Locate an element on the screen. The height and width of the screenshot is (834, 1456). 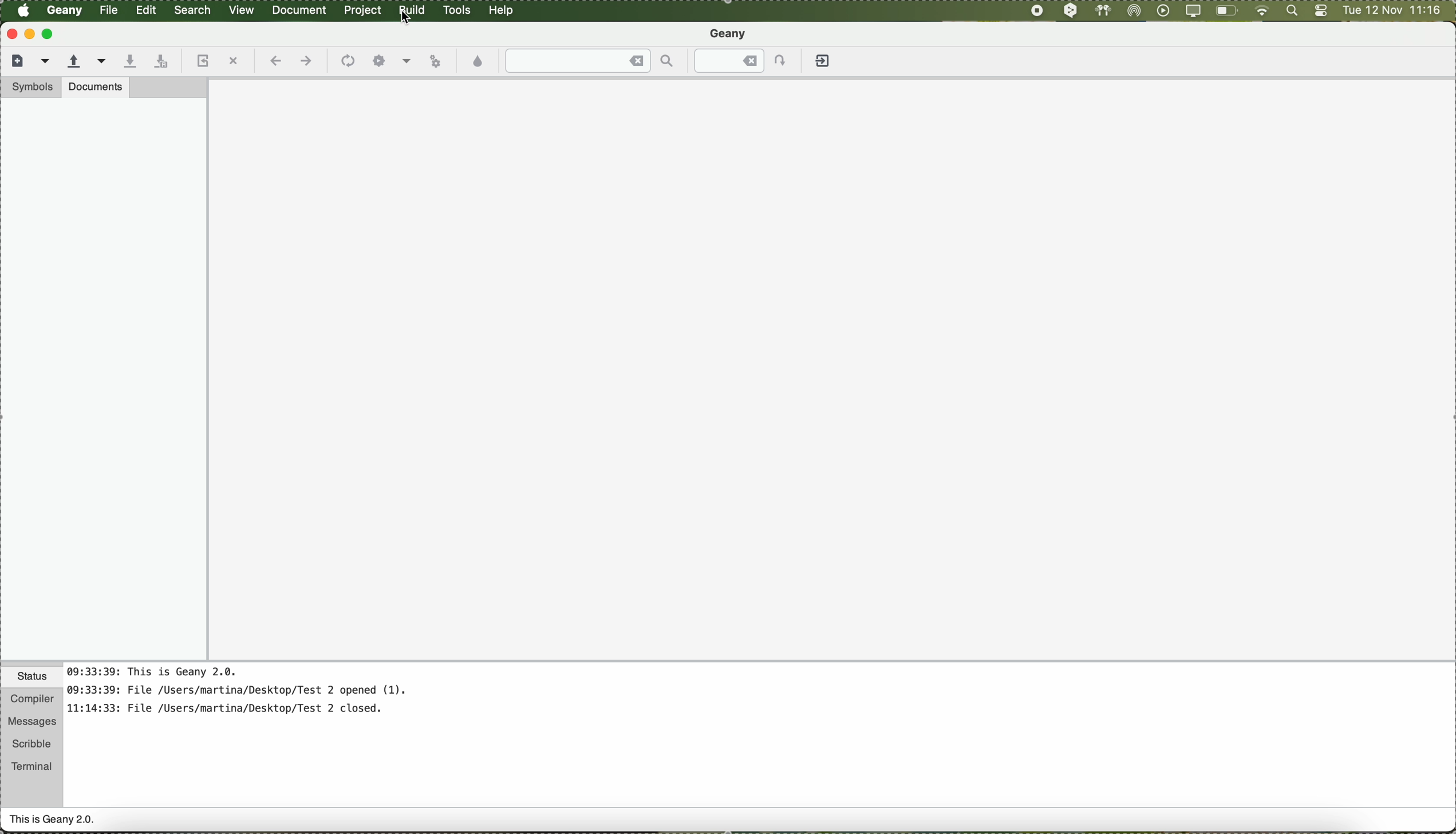
open an existing file is located at coordinates (74, 62).